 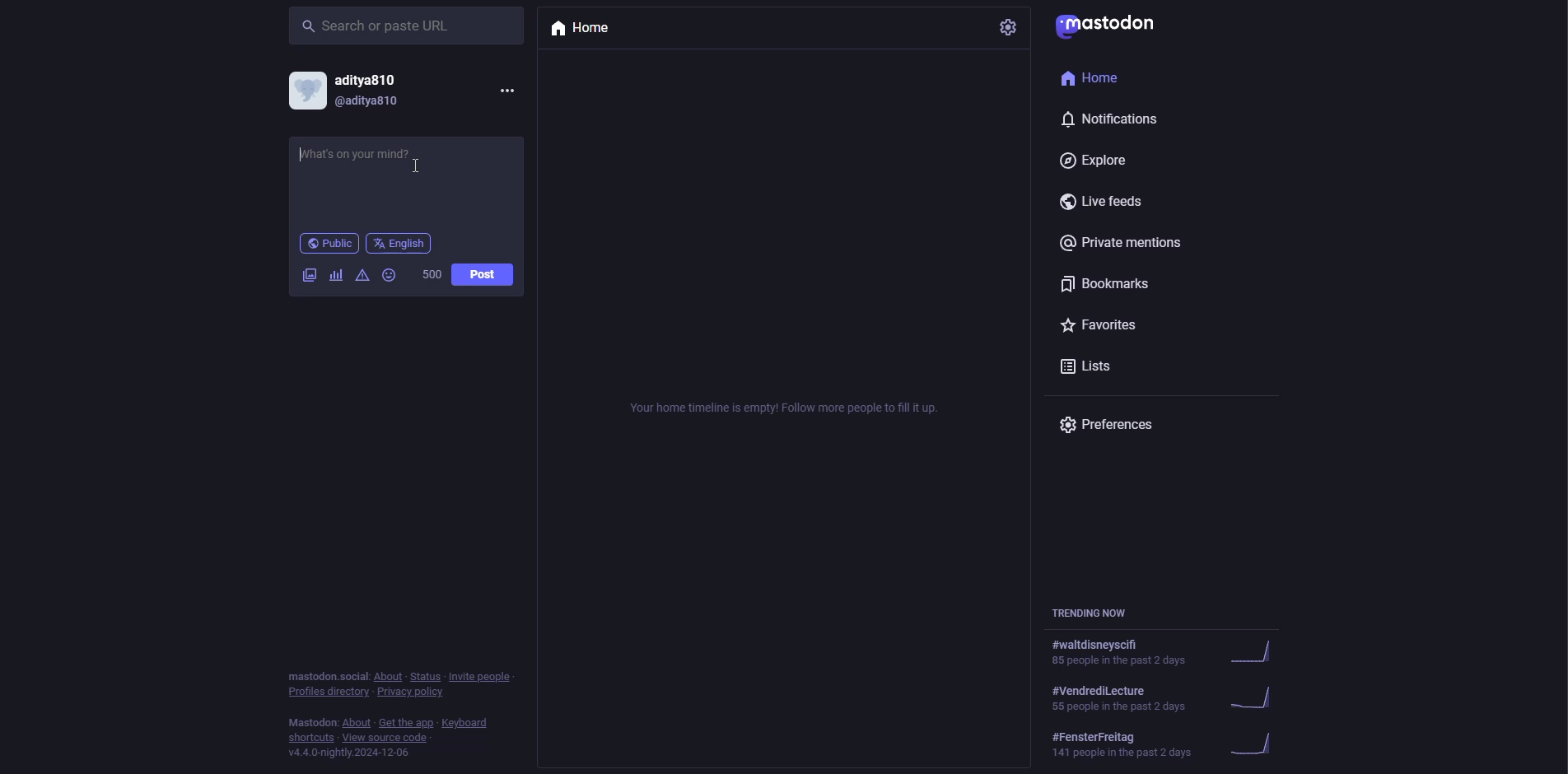 I want to click on word, so click(x=431, y=276).